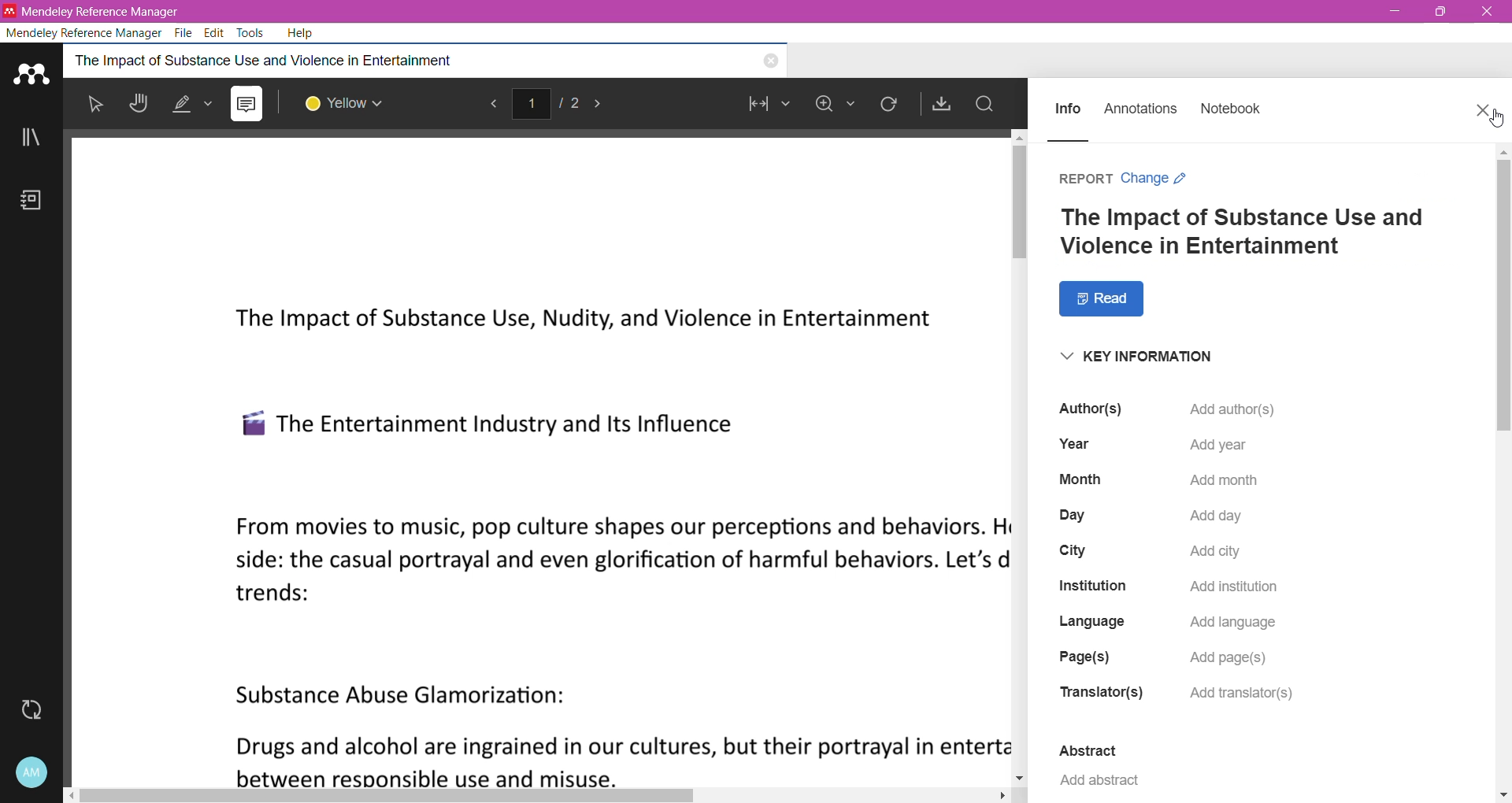  Describe the element at coordinates (1141, 105) in the screenshot. I see `Annotations` at that location.